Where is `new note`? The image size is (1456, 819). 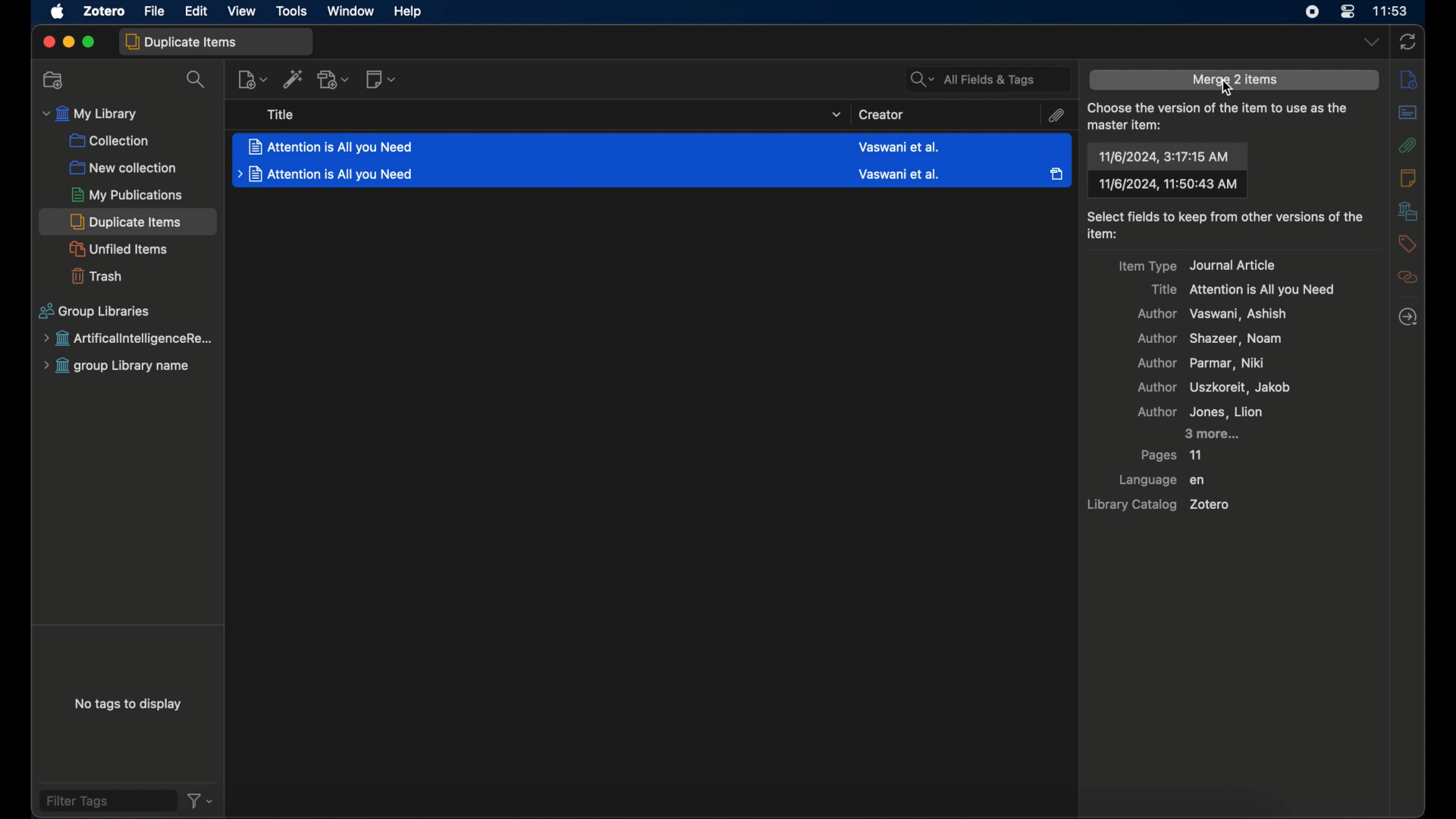
new note is located at coordinates (381, 80).